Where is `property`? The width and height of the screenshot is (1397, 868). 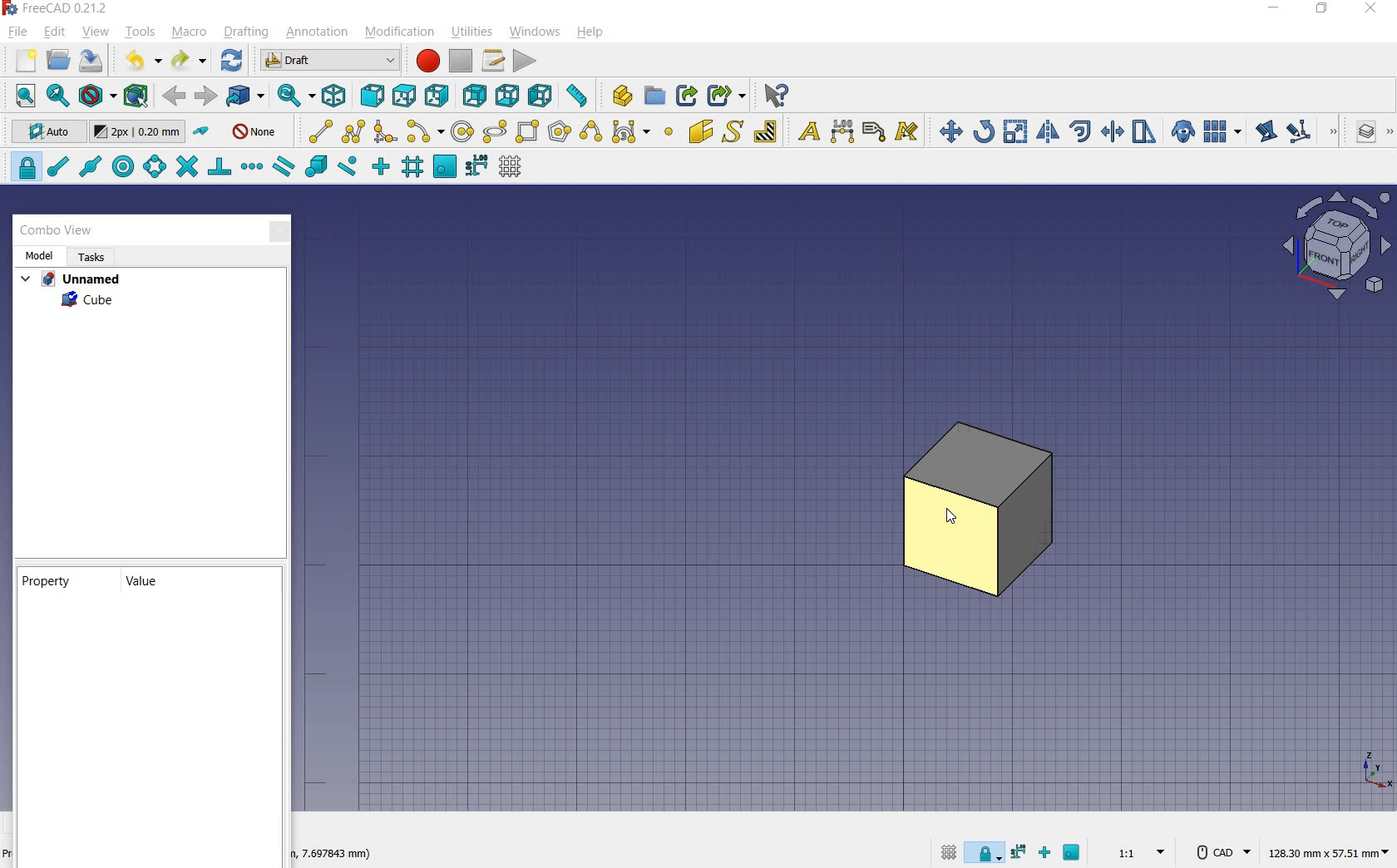
property is located at coordinates (46, 581).